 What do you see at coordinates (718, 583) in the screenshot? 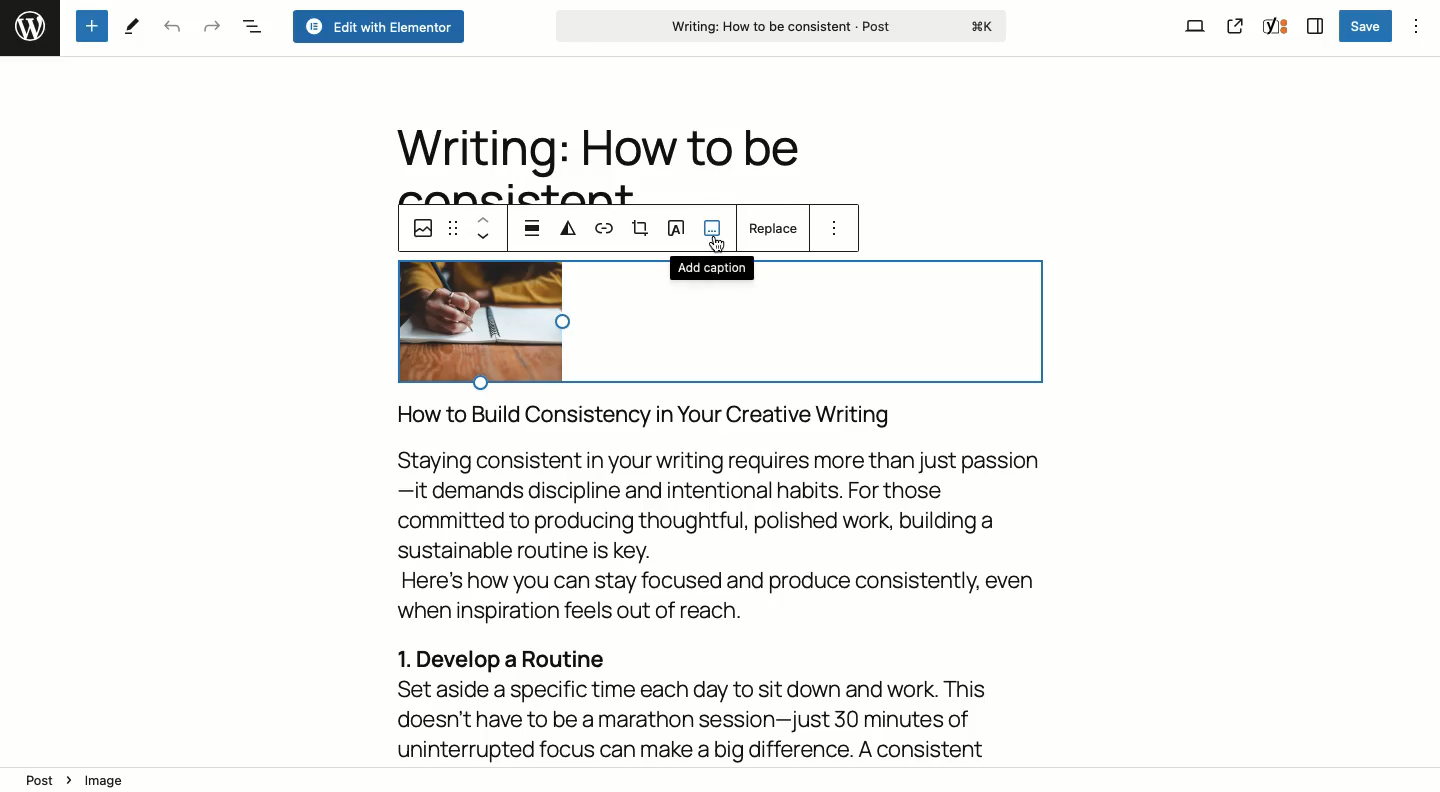
I see `How to Build Consistency in Your Creative Writing

Staying consistent in your writing requires more than just passion
—it demands discipline and intentional habits. For those
committed to producing thoughtful, polished work, building a
sustainable routine is key.

Here's how you can stay focused and produce consistently, even
when inspiration feels out of reach.

1. Develop a Routine

Set aside a specific time each day to sit down and work. This
doesn't have to be a marathon session—just 30 minutes of
uninterrupted focus can make a big difference. A consistent` at bounding box center [718, 583].